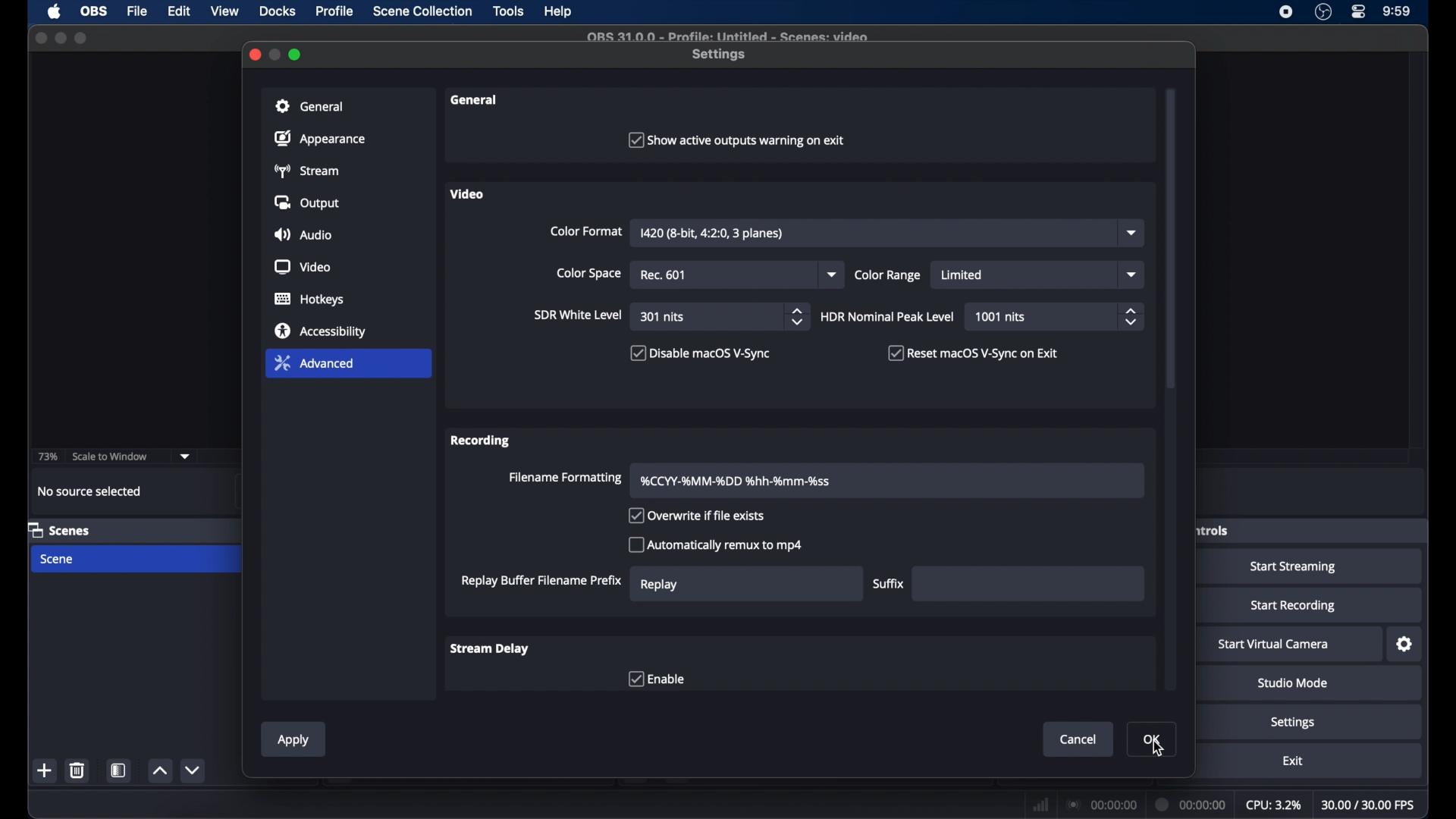 This screenshot has height=819, width=1456. I want to click on maximize, so click(297, 55).